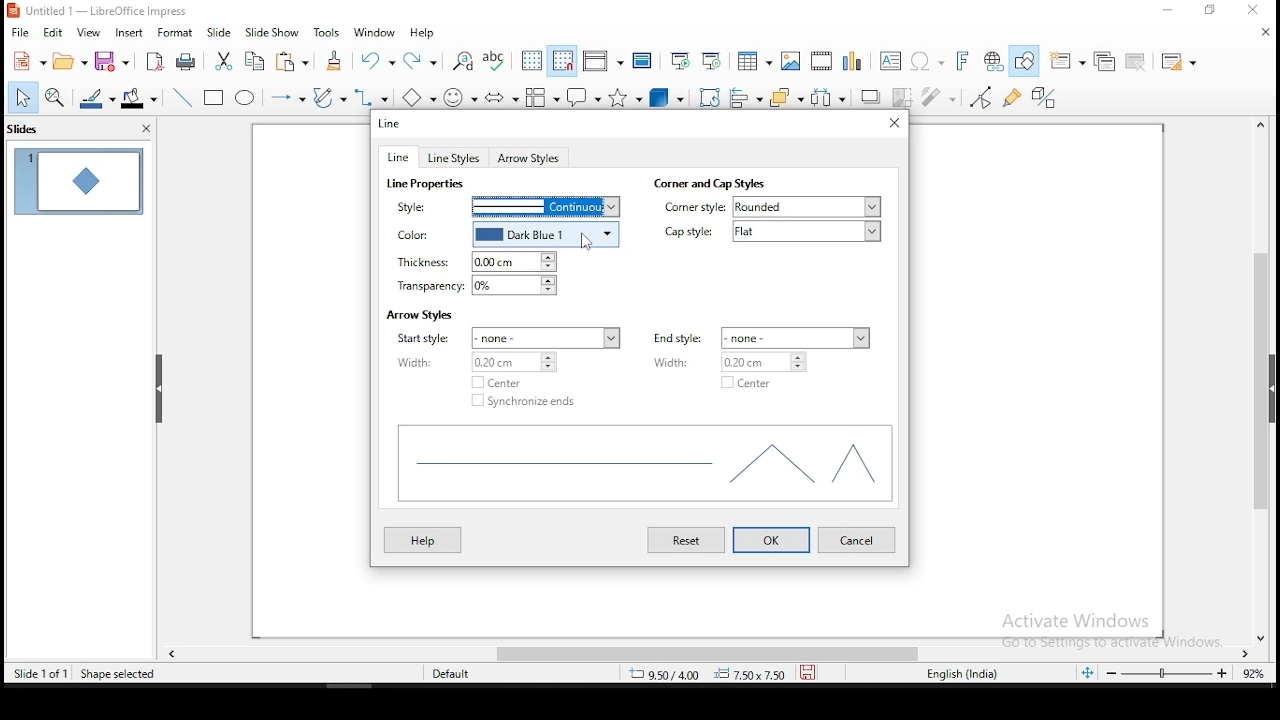  Describe the element at coordinates (502, 99) in the screenshot. I see `block arrows` at that location.